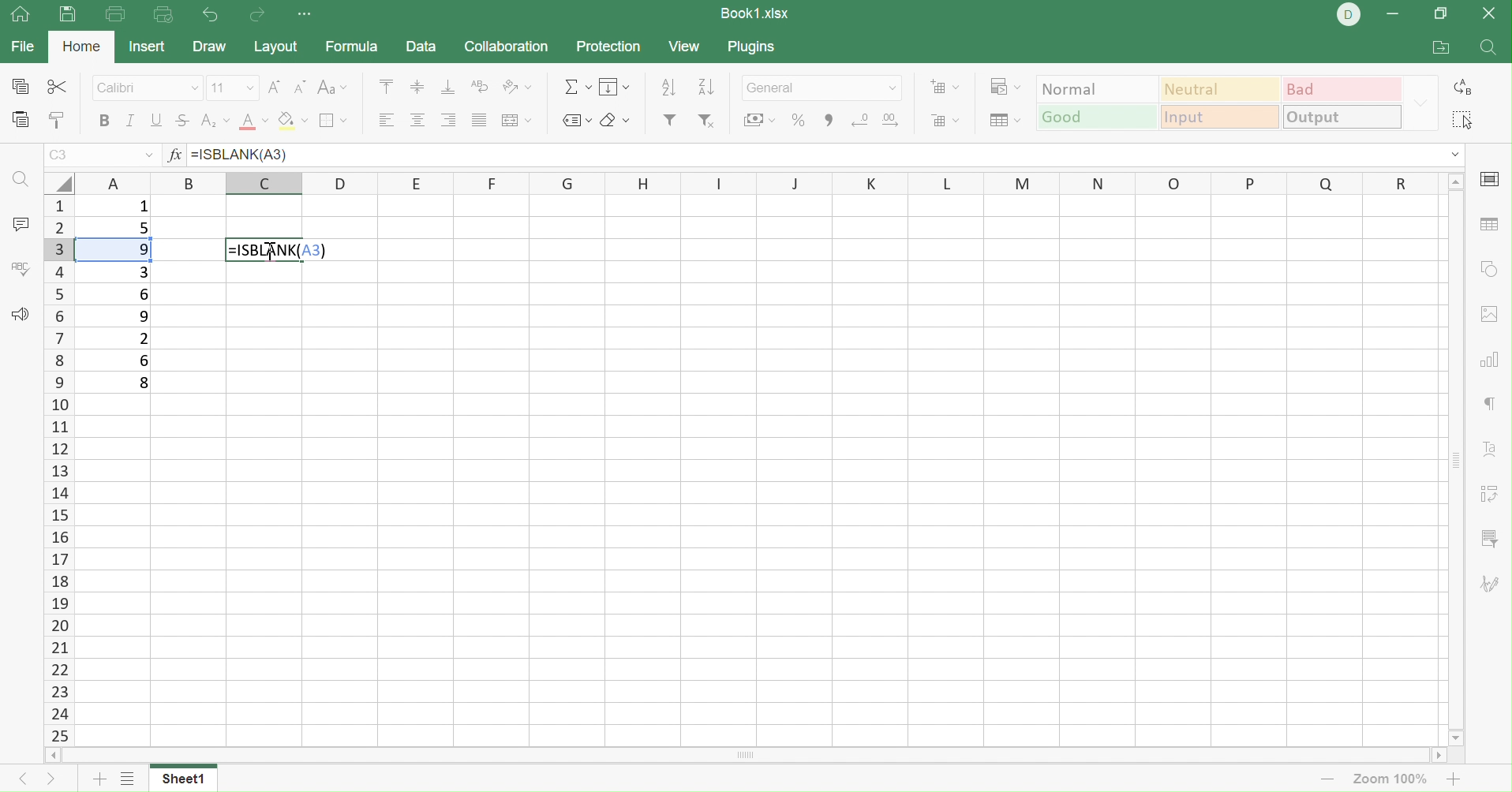 The height and width of the screenshot is (792, 1512). Describe the element at coordinates (577, 87) in the screenshot. I see `Summation` at that location.